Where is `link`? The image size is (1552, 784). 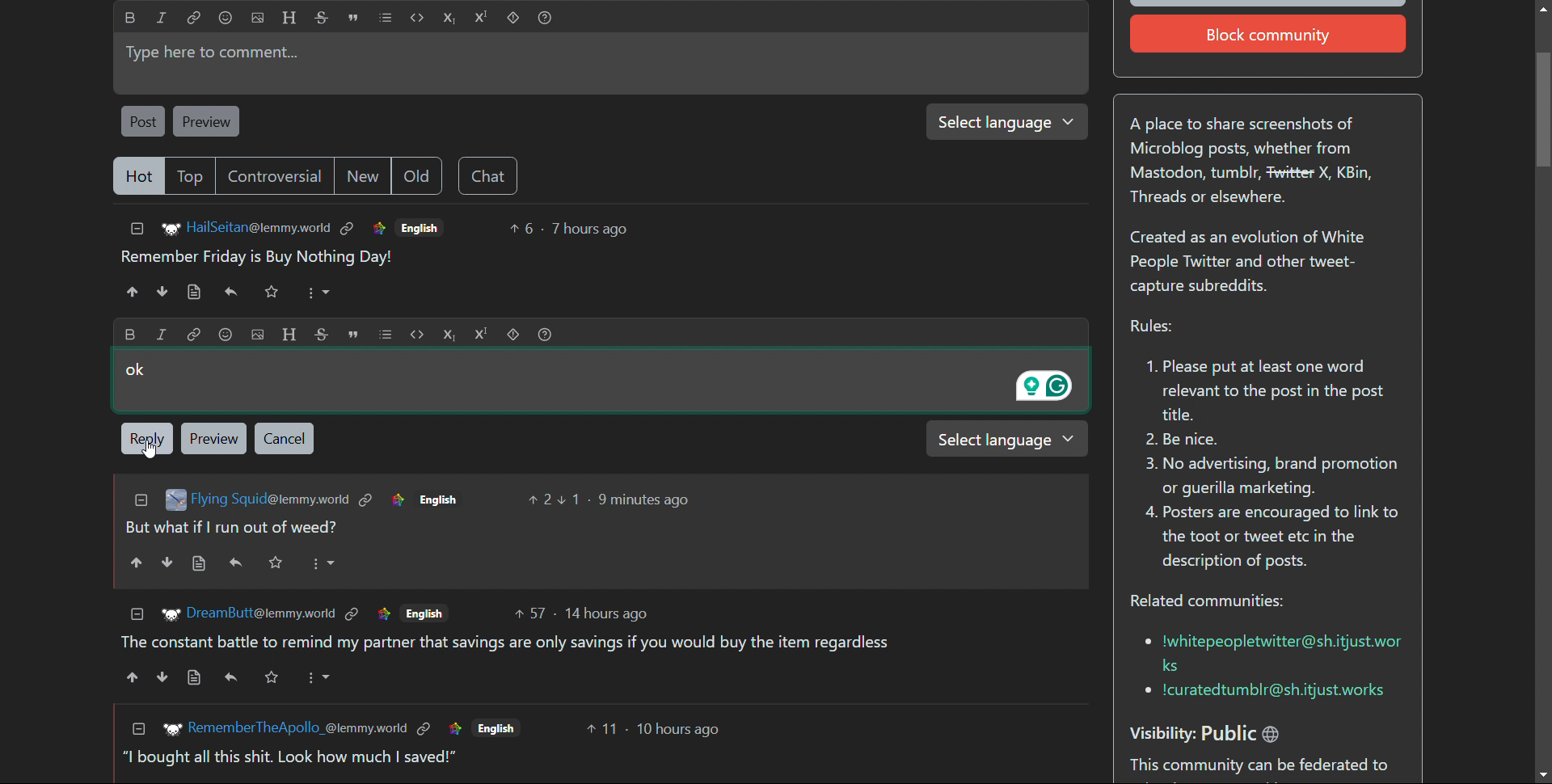 link is located at coordinates (378, 230).